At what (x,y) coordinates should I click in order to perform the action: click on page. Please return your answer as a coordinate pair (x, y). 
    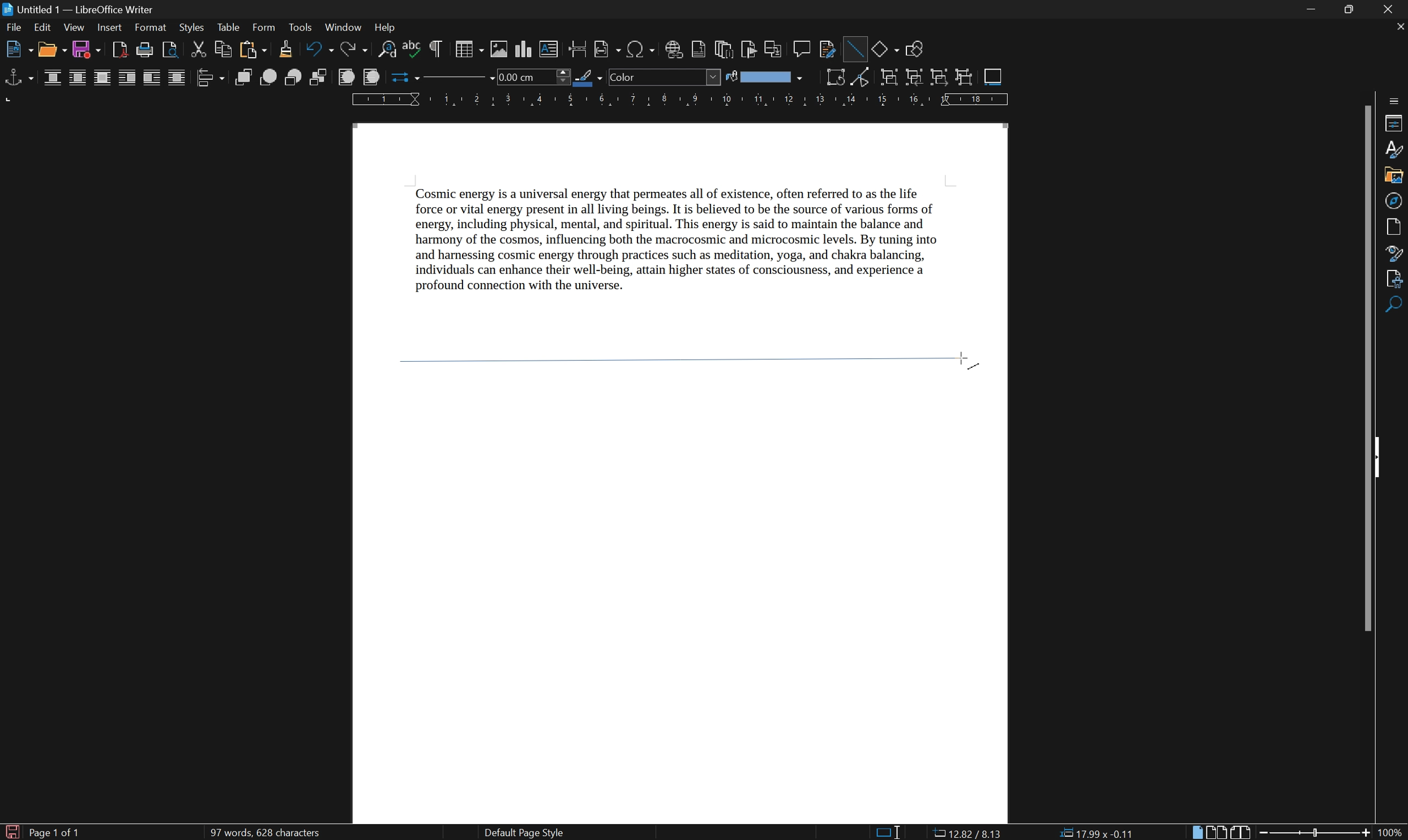
    Looking at the image, I should click on (1397, 226).